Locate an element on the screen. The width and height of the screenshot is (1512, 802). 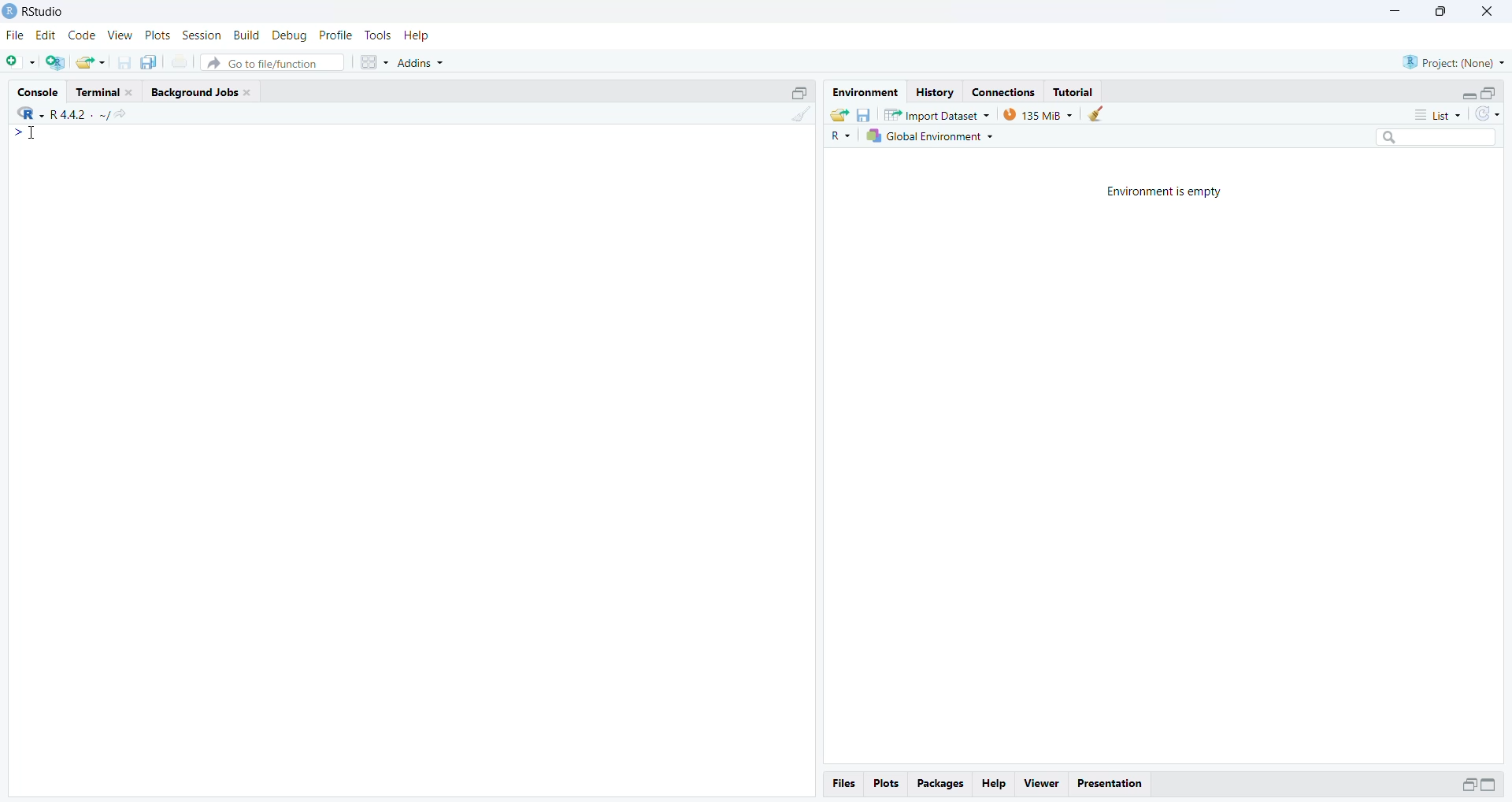
RStudio is located at coordinates (42, 12).